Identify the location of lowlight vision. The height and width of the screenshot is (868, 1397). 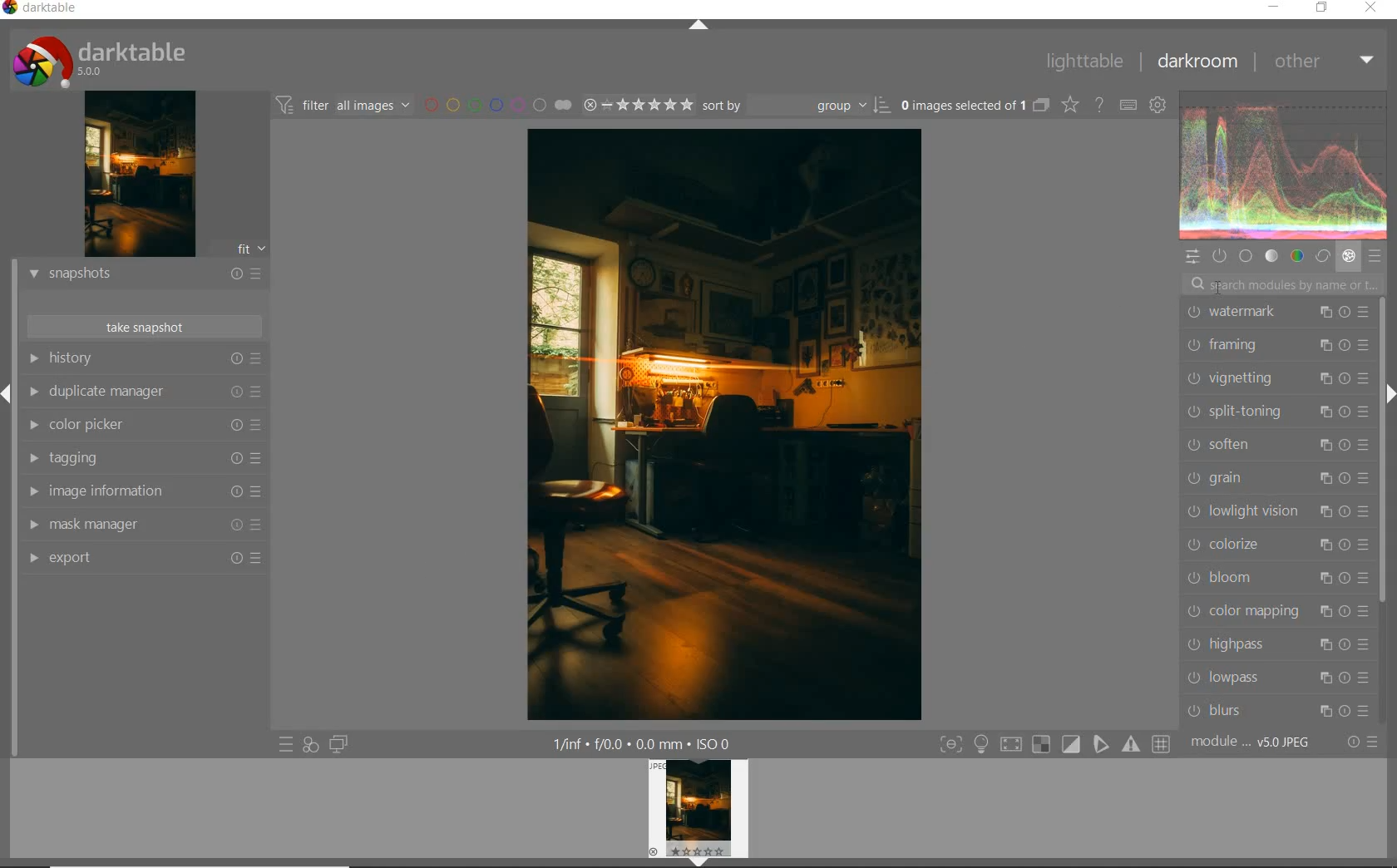
(1276, 510).